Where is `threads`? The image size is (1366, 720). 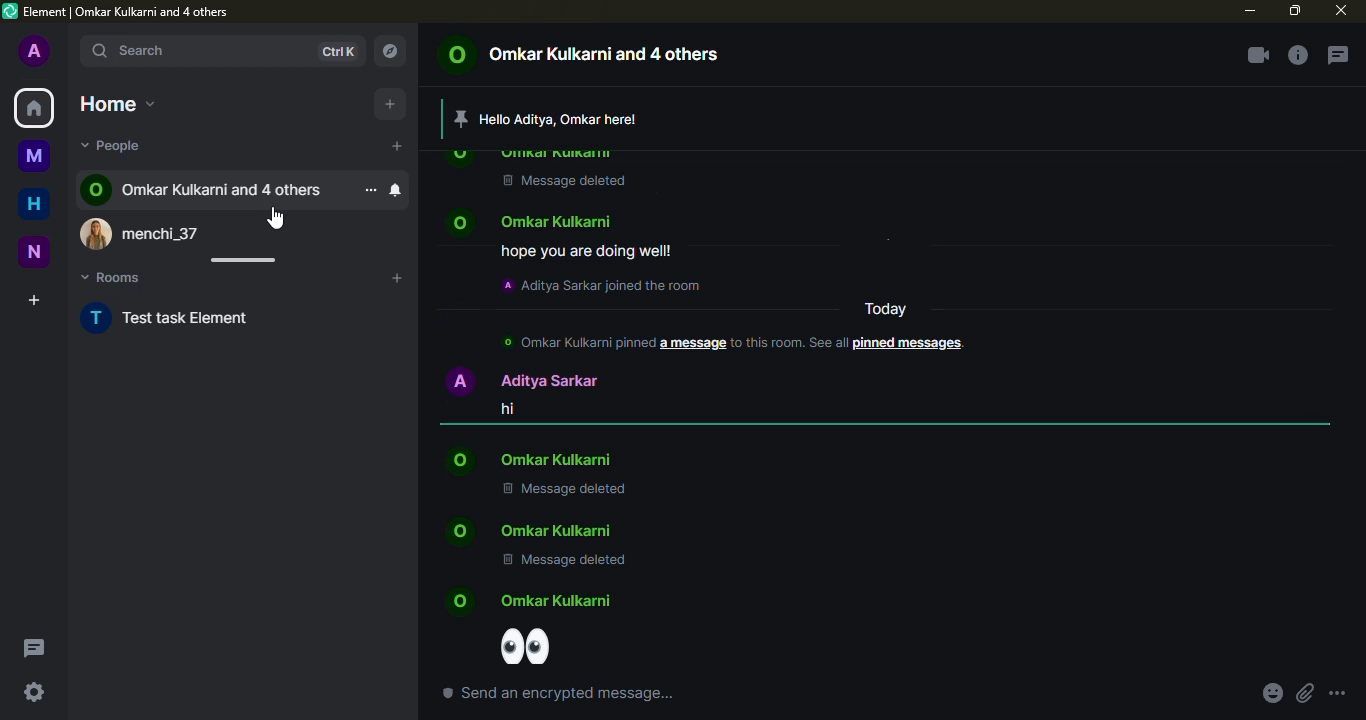 threads is located at coordinates (37, 649).